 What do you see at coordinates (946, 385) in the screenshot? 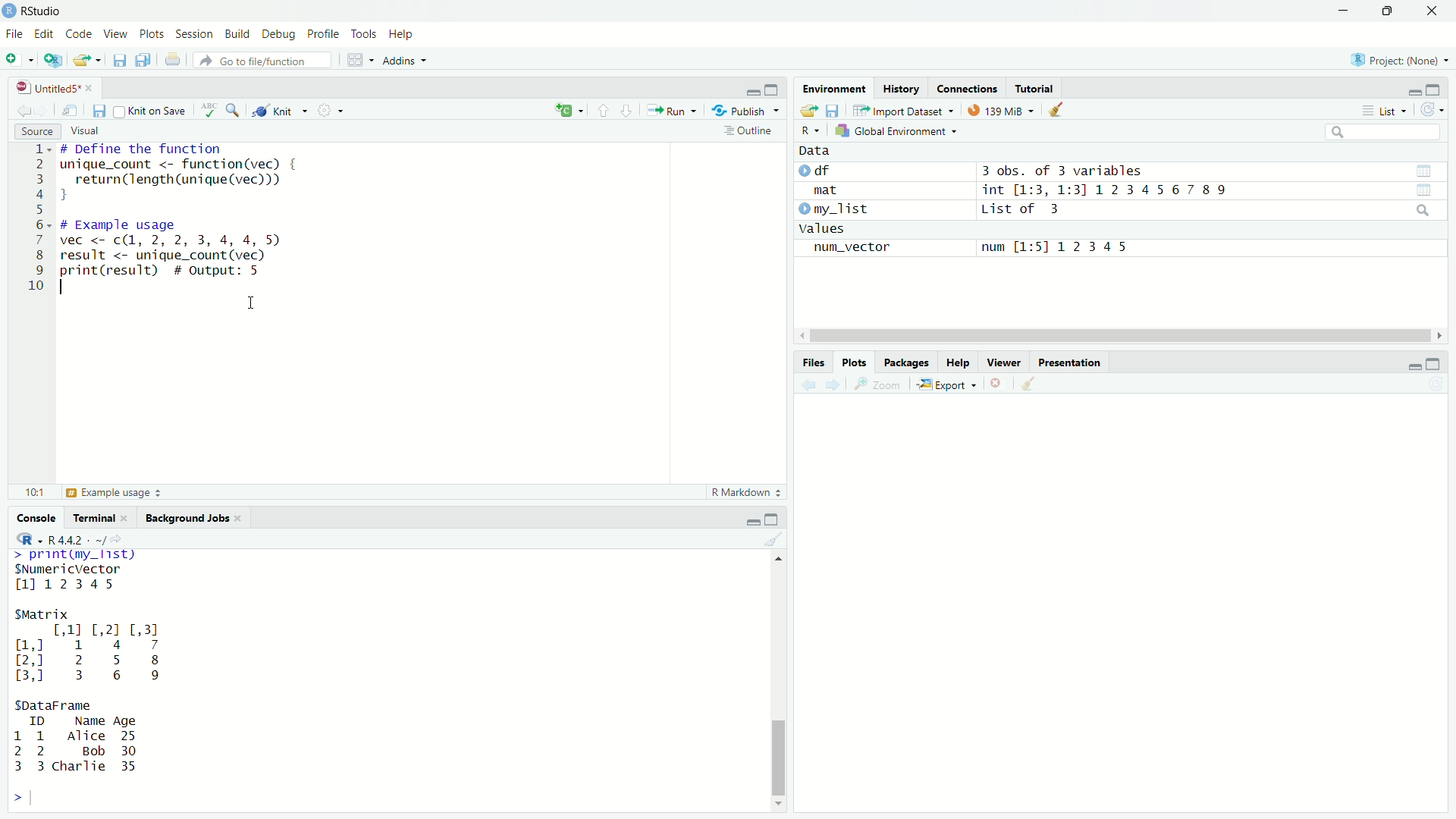
I see `Export` at bounding box center [946, 385].